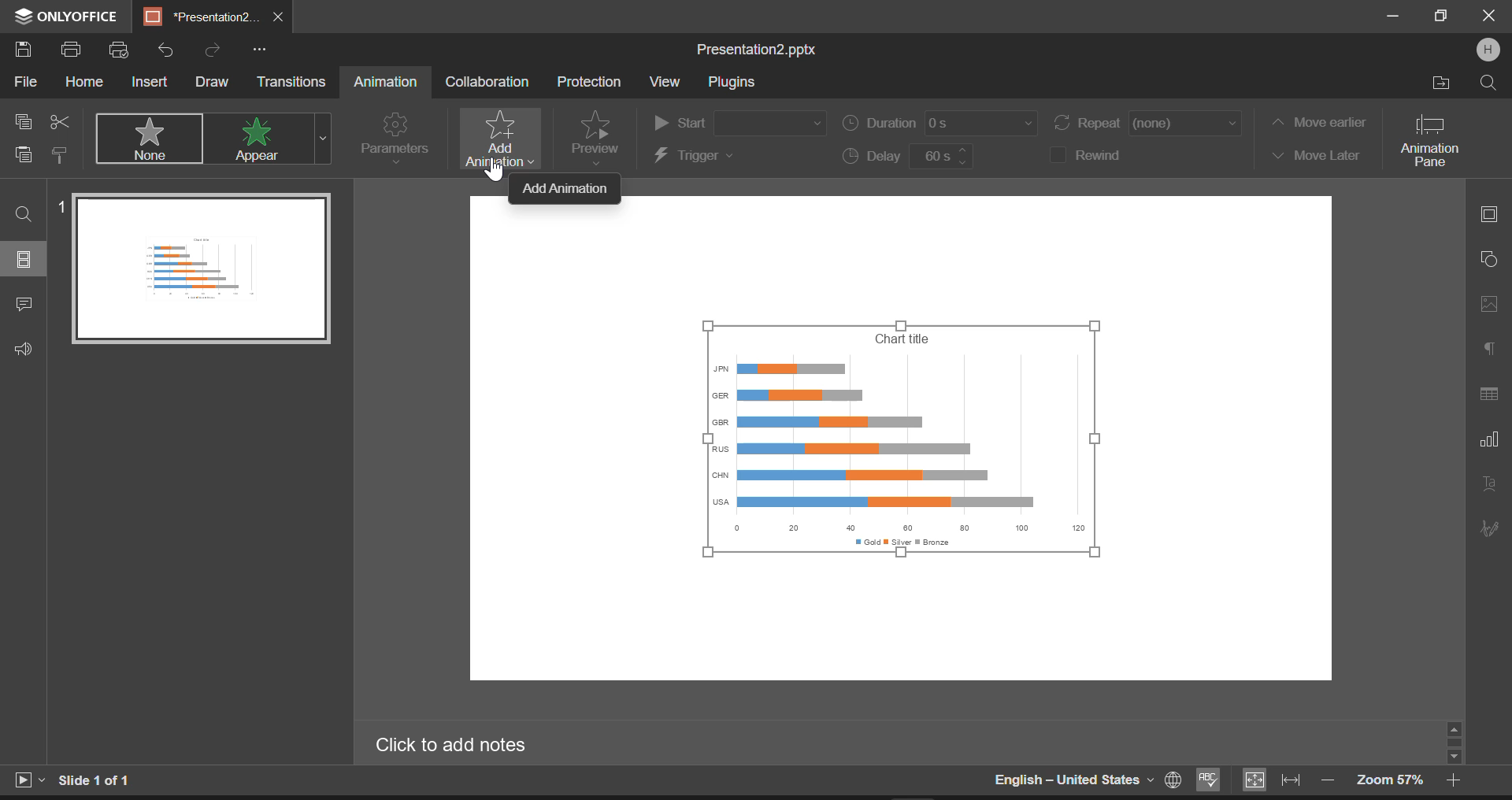 This screenshot has width=1512, height=800. What do you see at coordinates (595, 136) in the screenshot?
I see `Preview` at bounding box center [595, 136].